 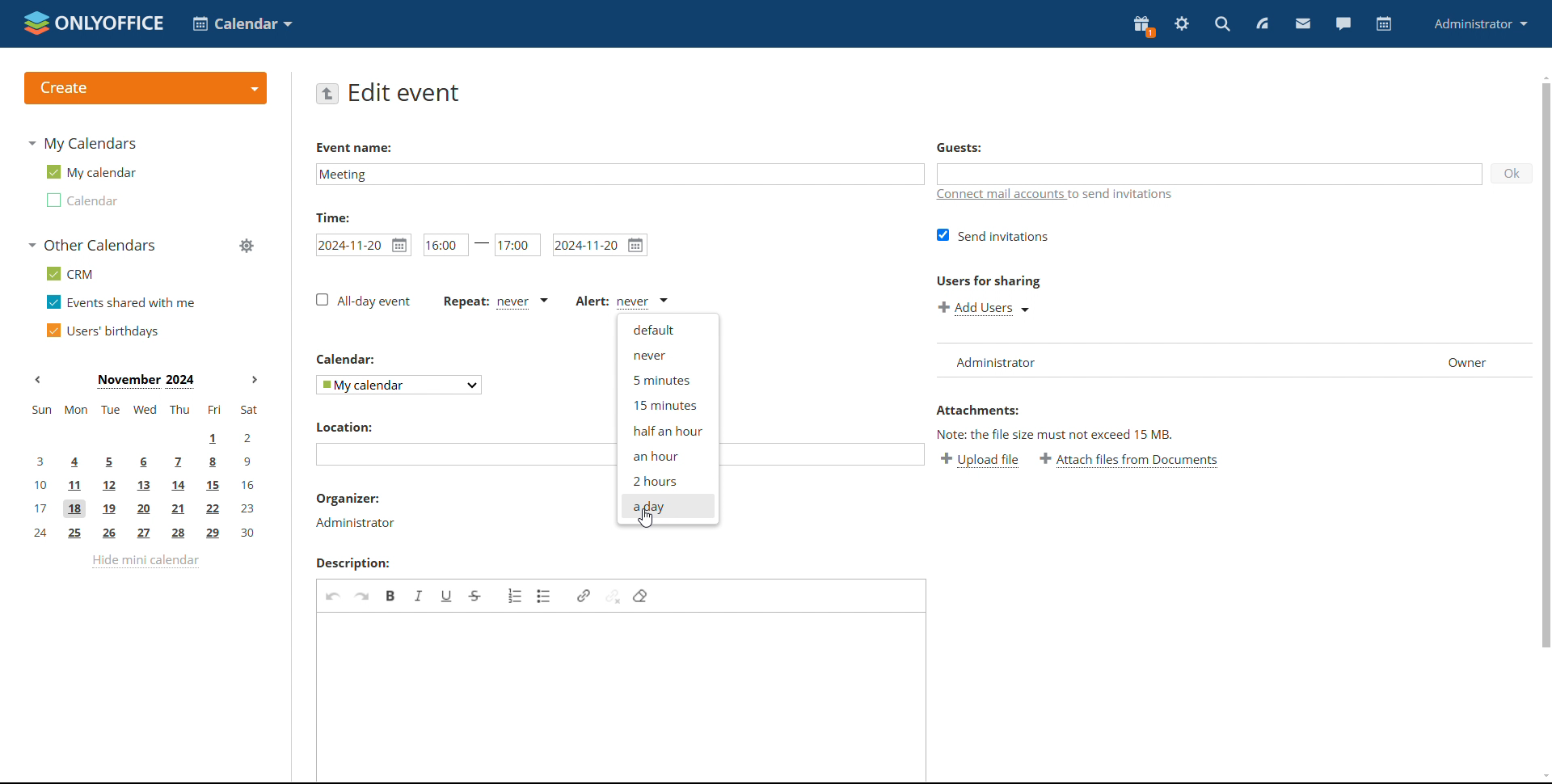 I want to click on add event description, so click(x=624, y=697).